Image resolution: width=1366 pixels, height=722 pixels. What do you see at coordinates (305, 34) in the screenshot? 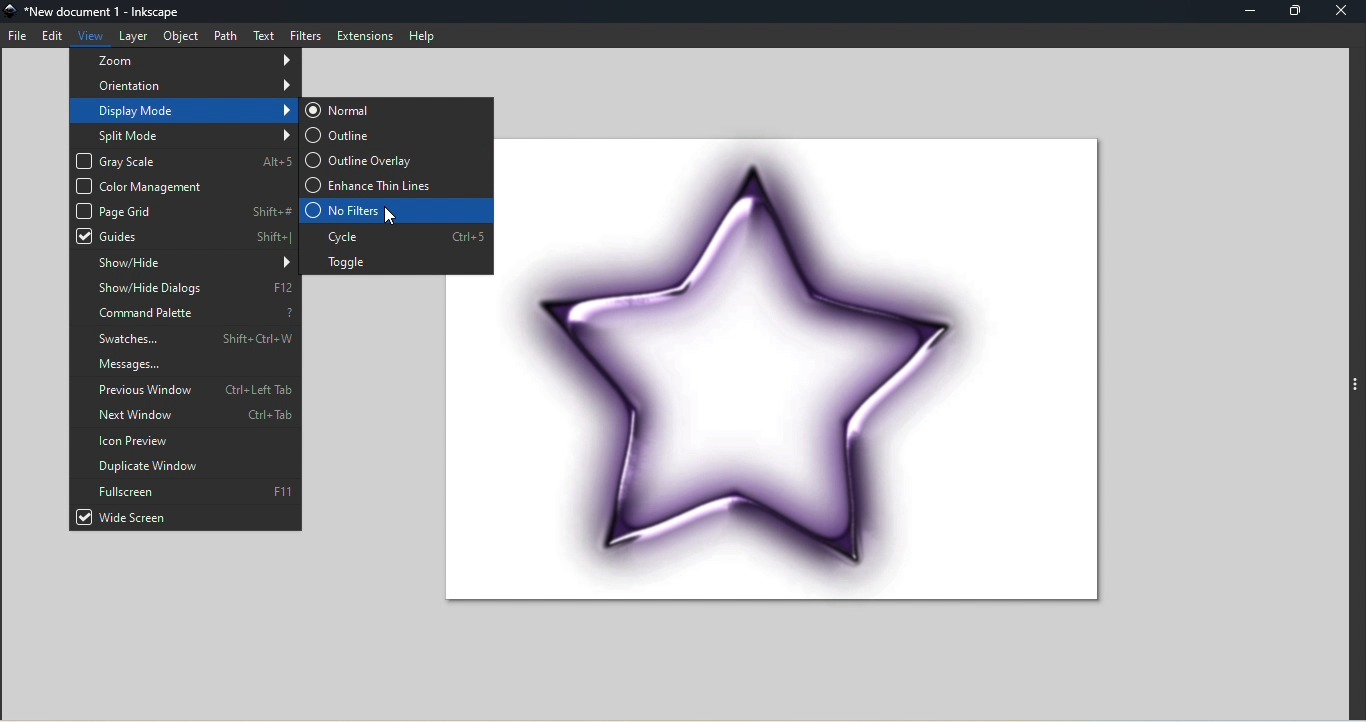
I see `Filters` at bounding box center [305, 34].